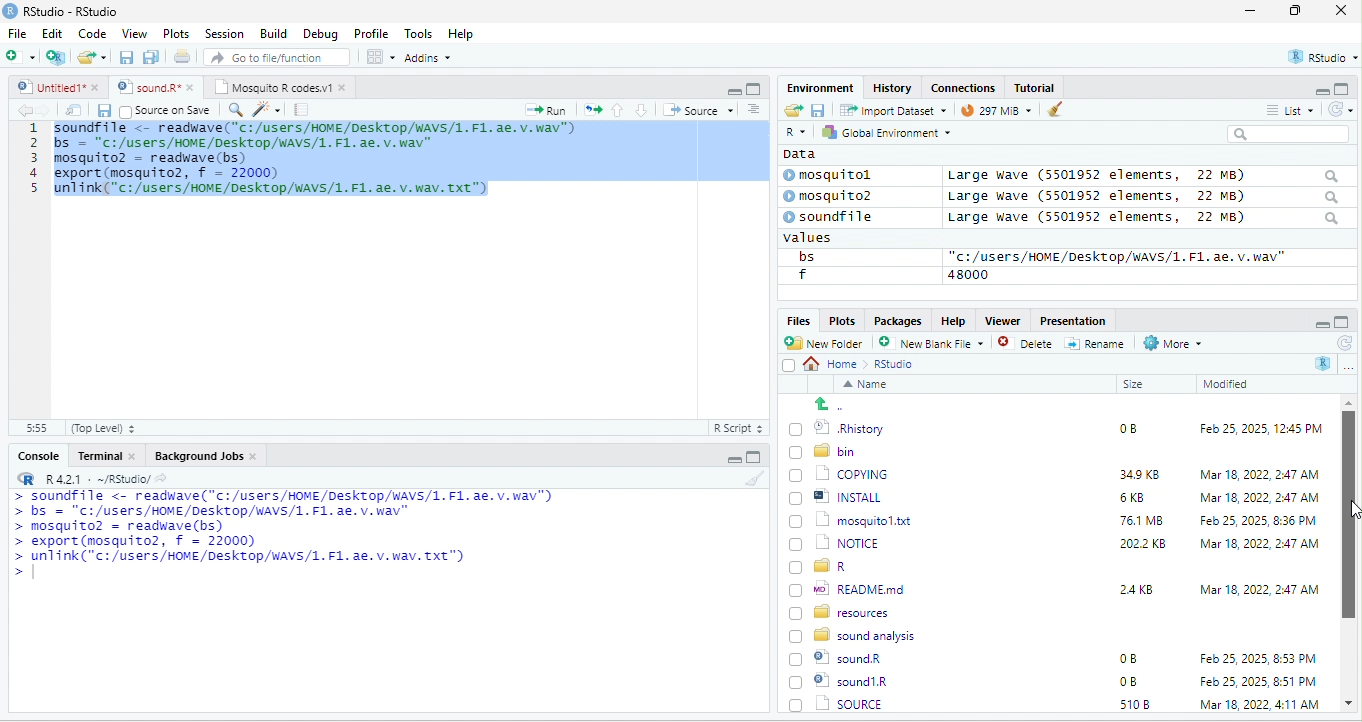  Describe the element at coordinates (556, 123) in the screenshot. I see `cursor` at that location.